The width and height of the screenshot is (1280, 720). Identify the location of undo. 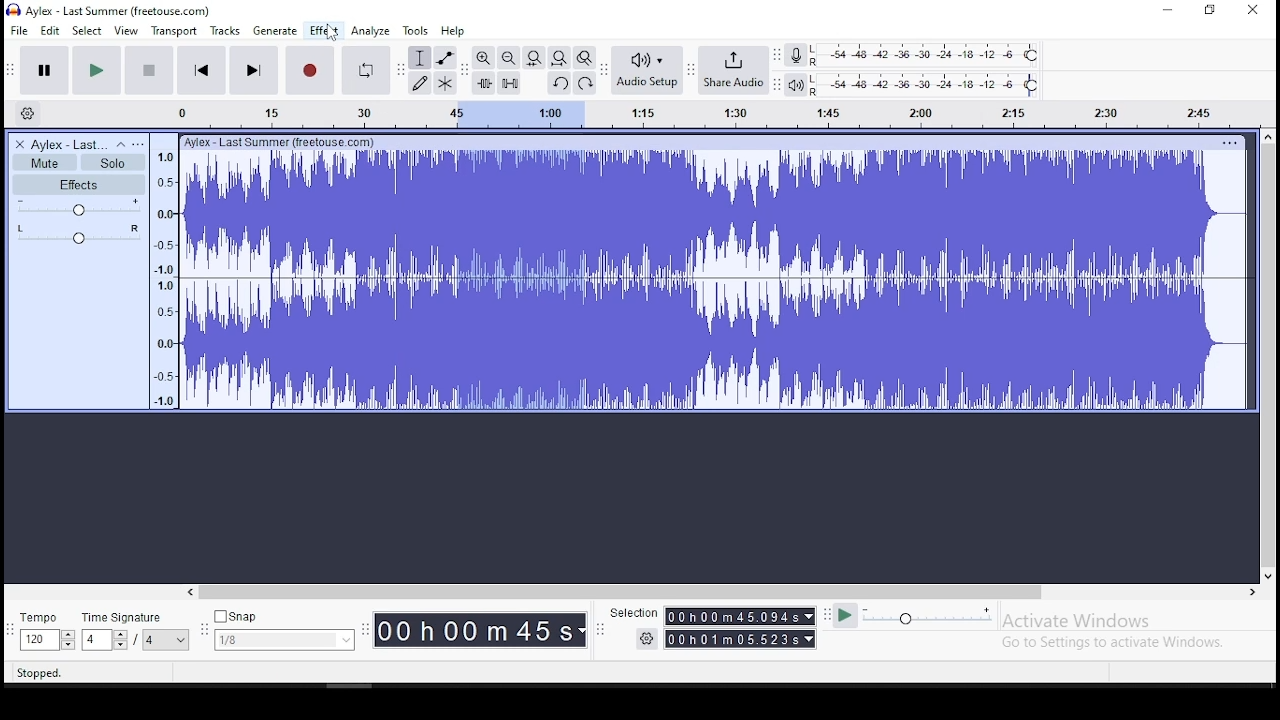
(558, 83).